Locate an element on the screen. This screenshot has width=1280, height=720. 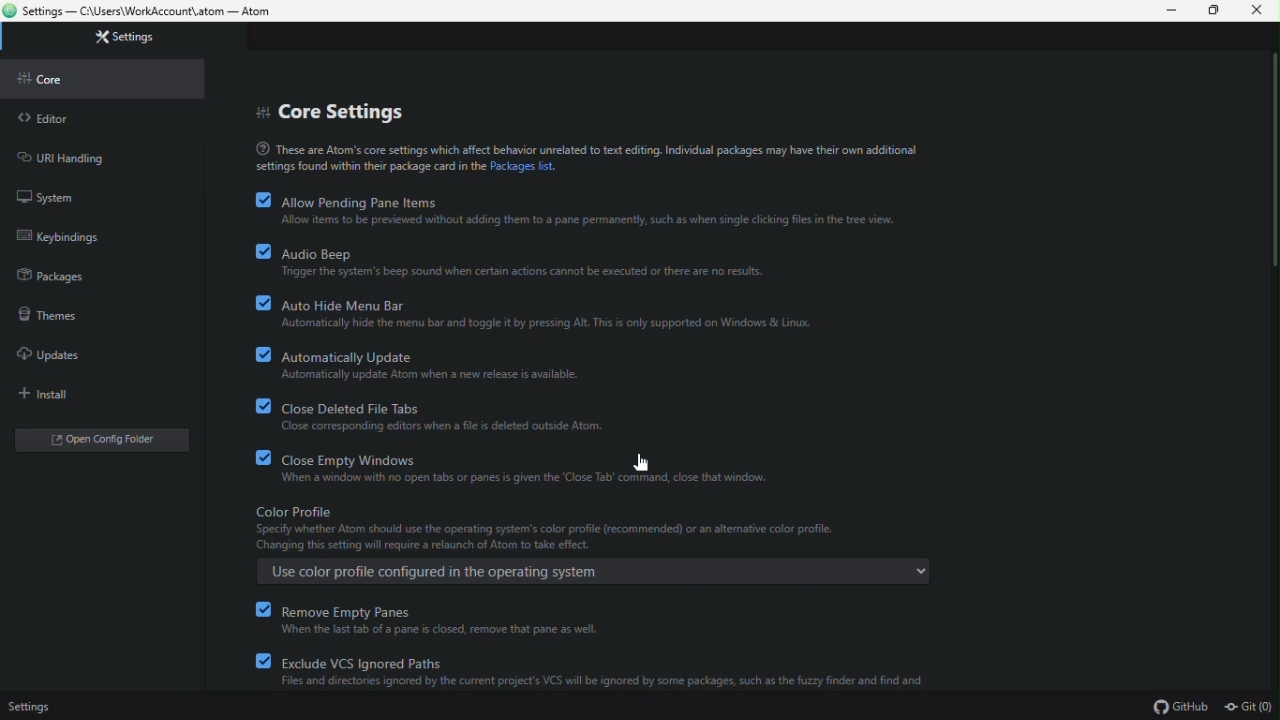
checkbox  is located at coordinates (254, 355).